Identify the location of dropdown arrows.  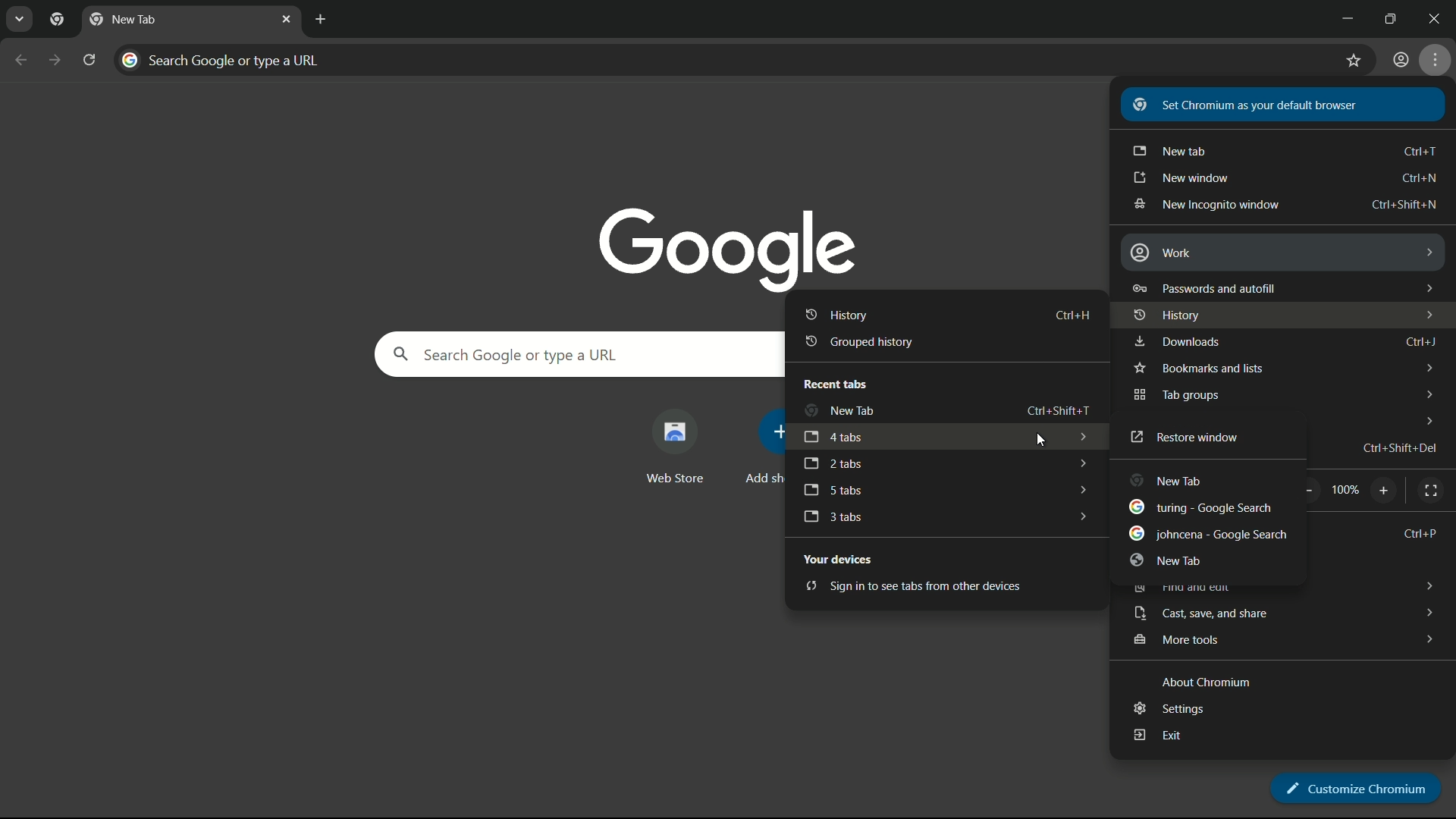
(1428, 367).